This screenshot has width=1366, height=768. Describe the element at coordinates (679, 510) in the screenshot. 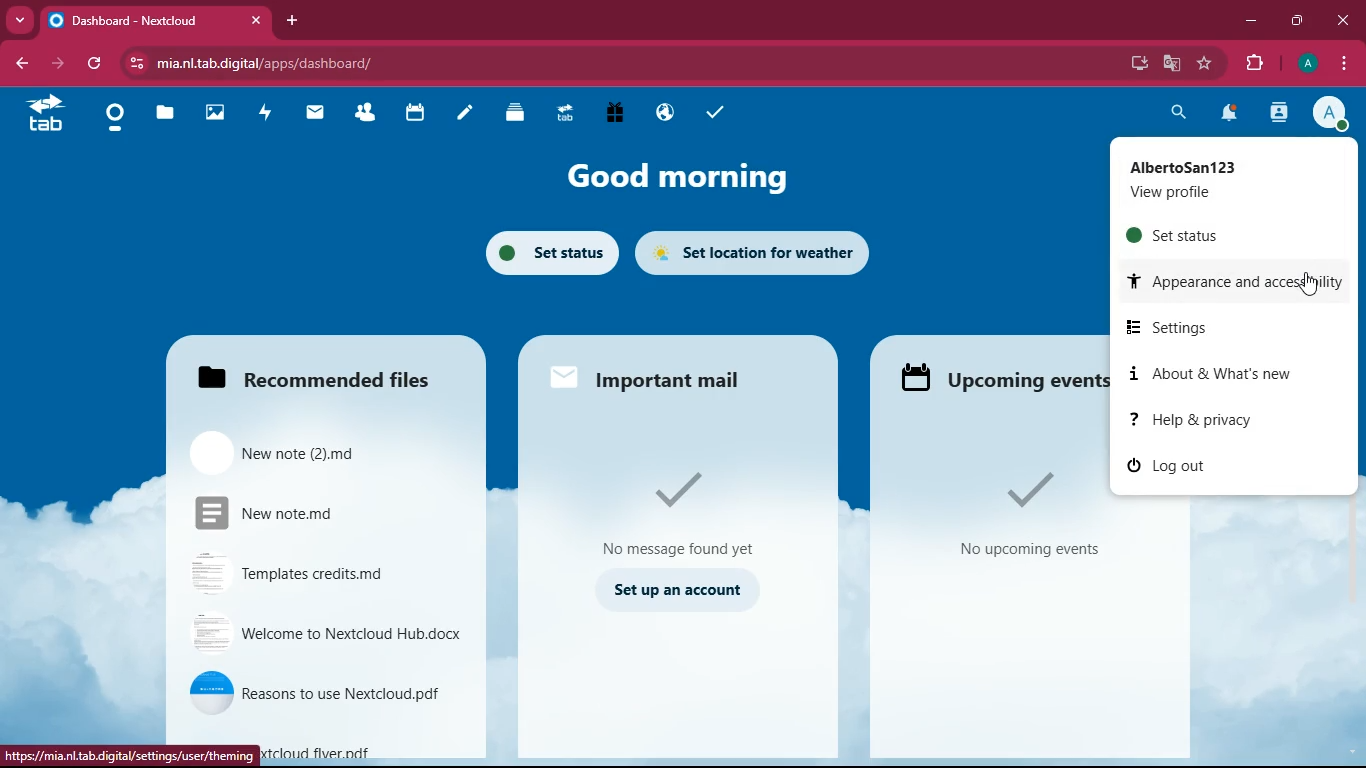

I see `message` at that location.